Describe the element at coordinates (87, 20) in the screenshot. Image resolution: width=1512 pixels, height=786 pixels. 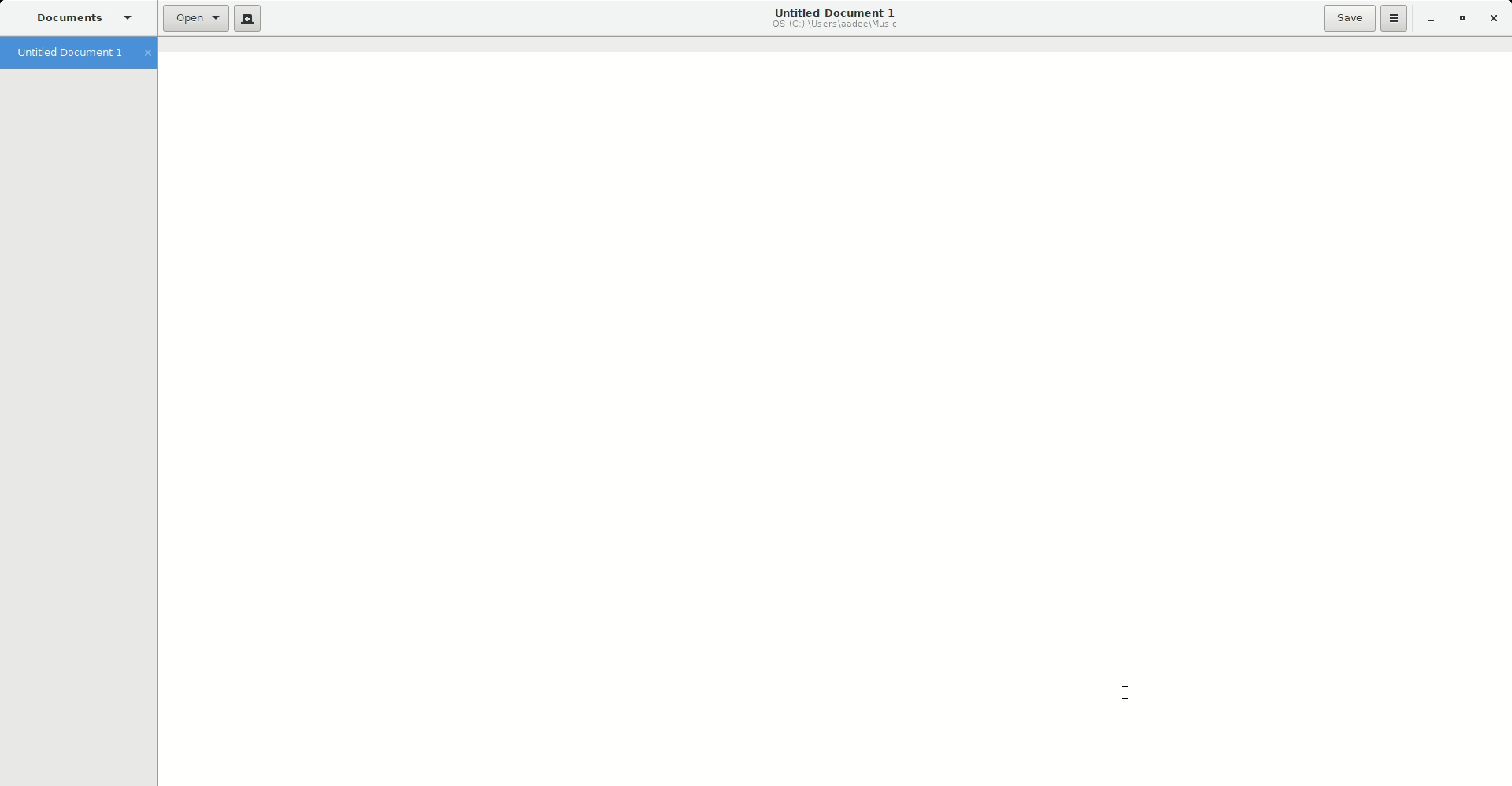
I see `Documents` at that location.